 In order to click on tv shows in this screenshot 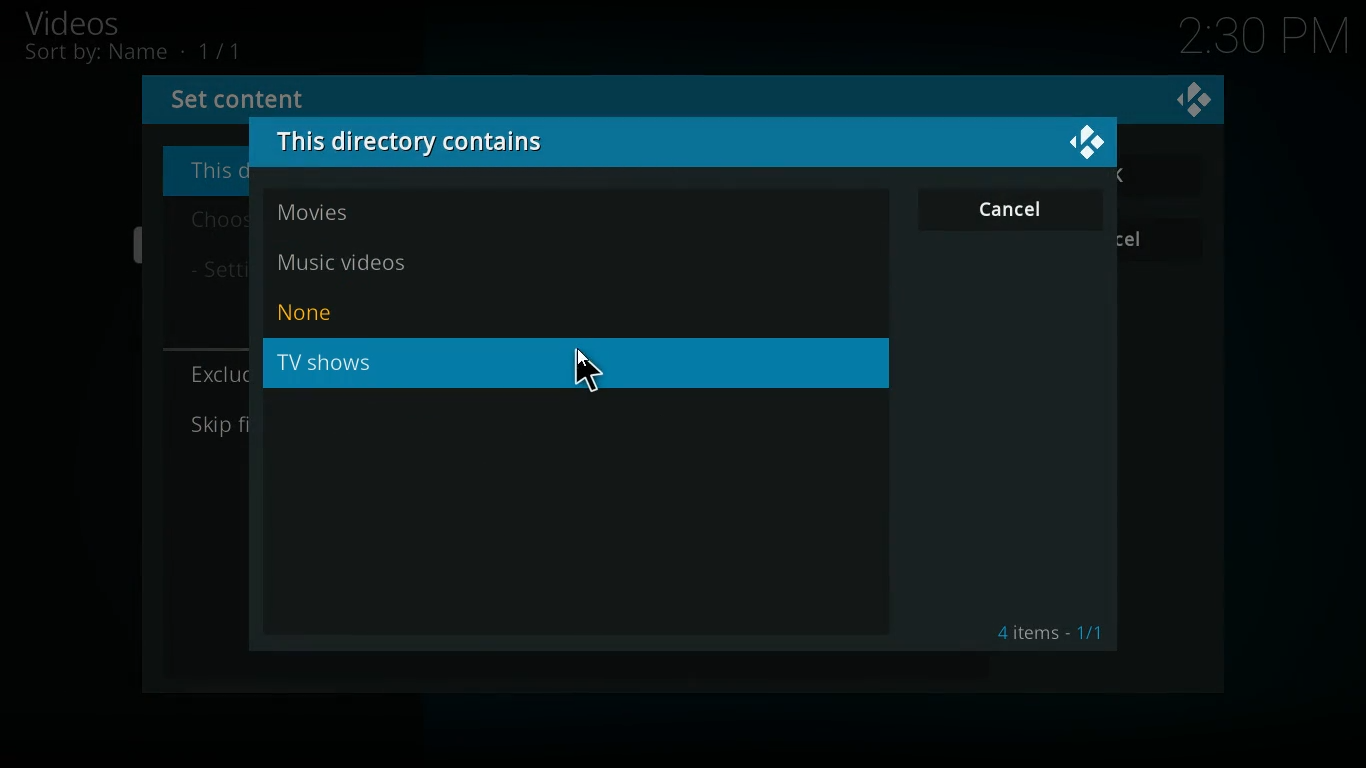, I will do `click(581, 365)`.